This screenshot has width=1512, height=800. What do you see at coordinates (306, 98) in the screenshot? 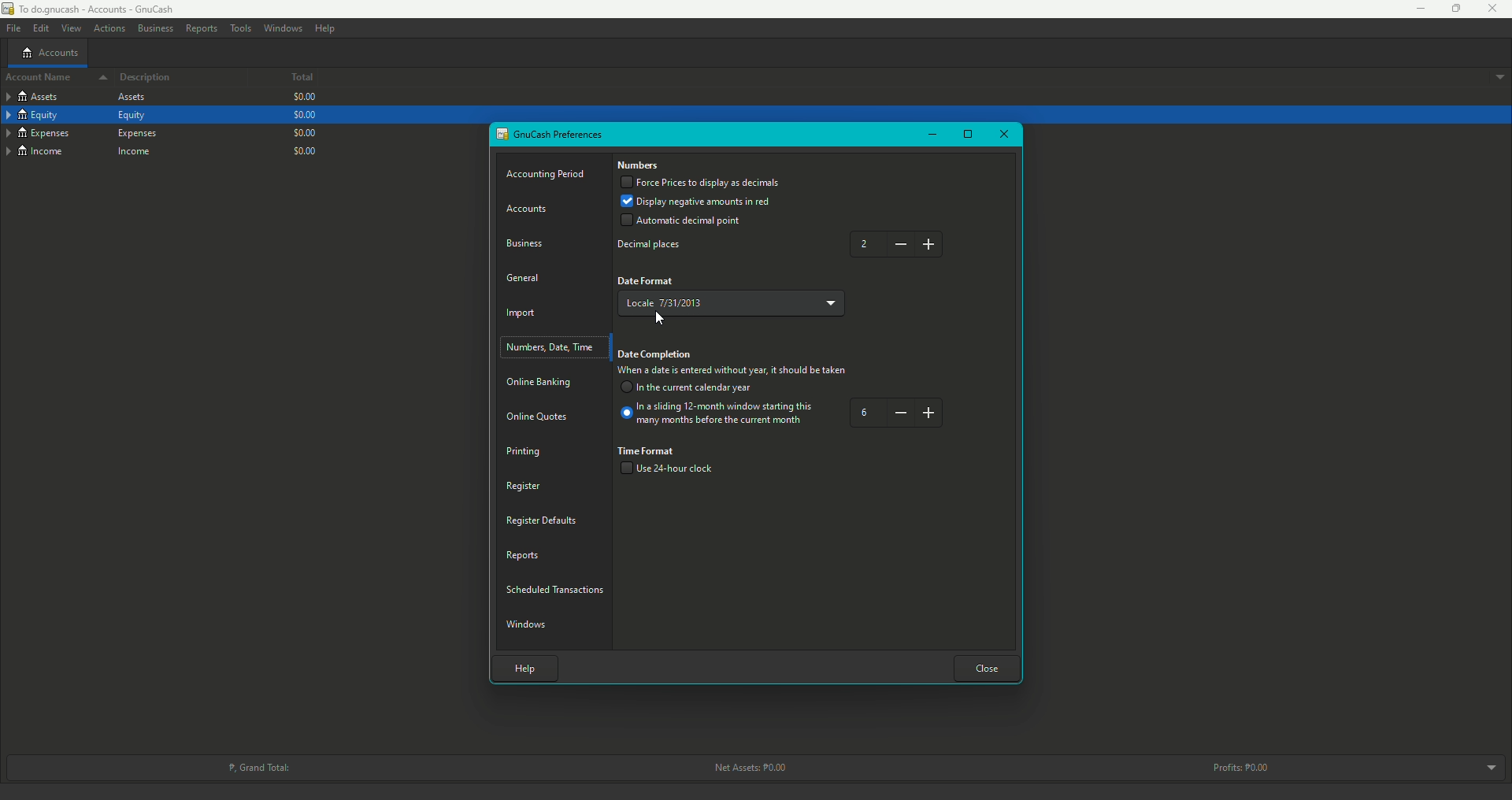
I see `$0` at bounding box center [306, 98].